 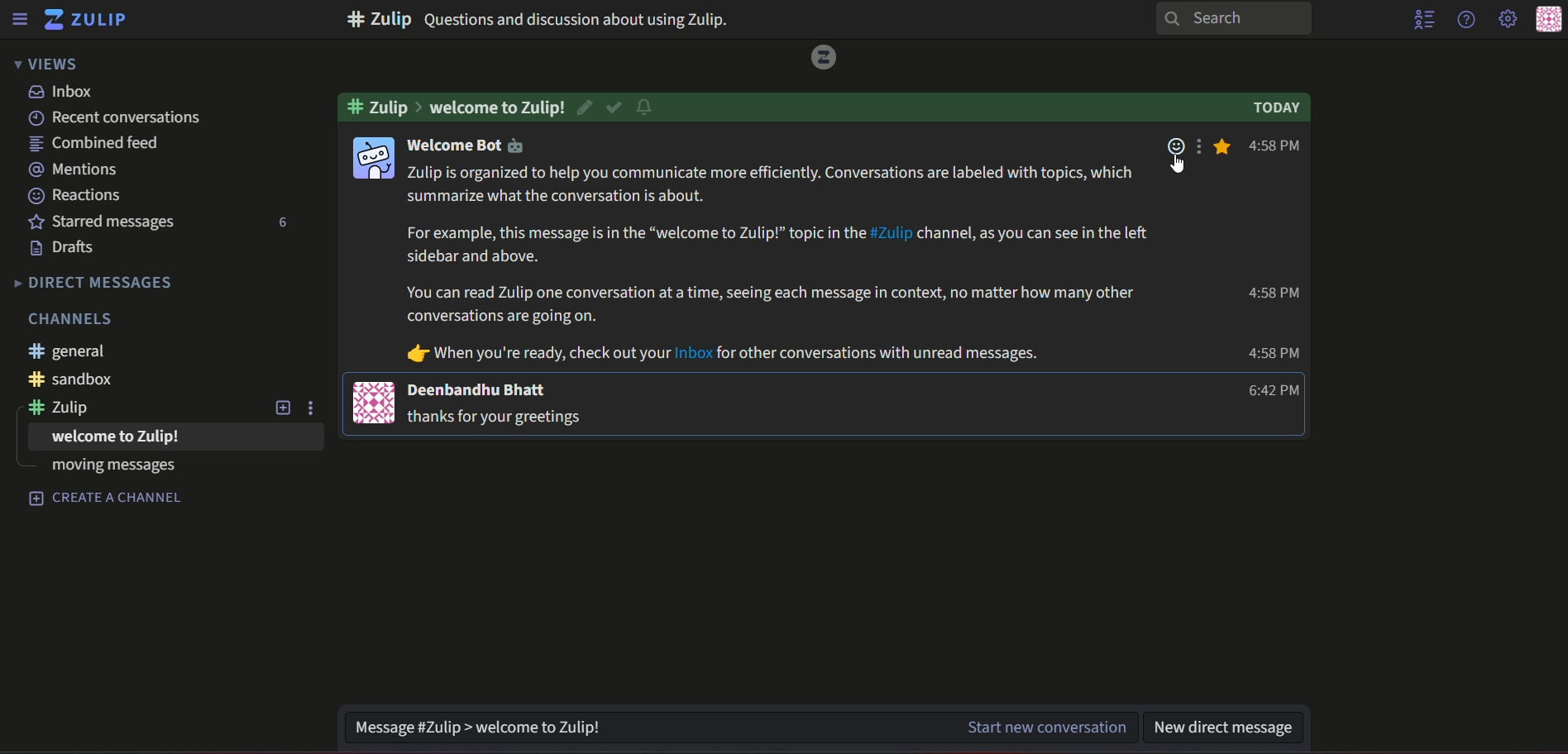 What do you see at coordinates (385, 106) in the screenshot?
I see `#zulip` at bounding box center [385, 106].